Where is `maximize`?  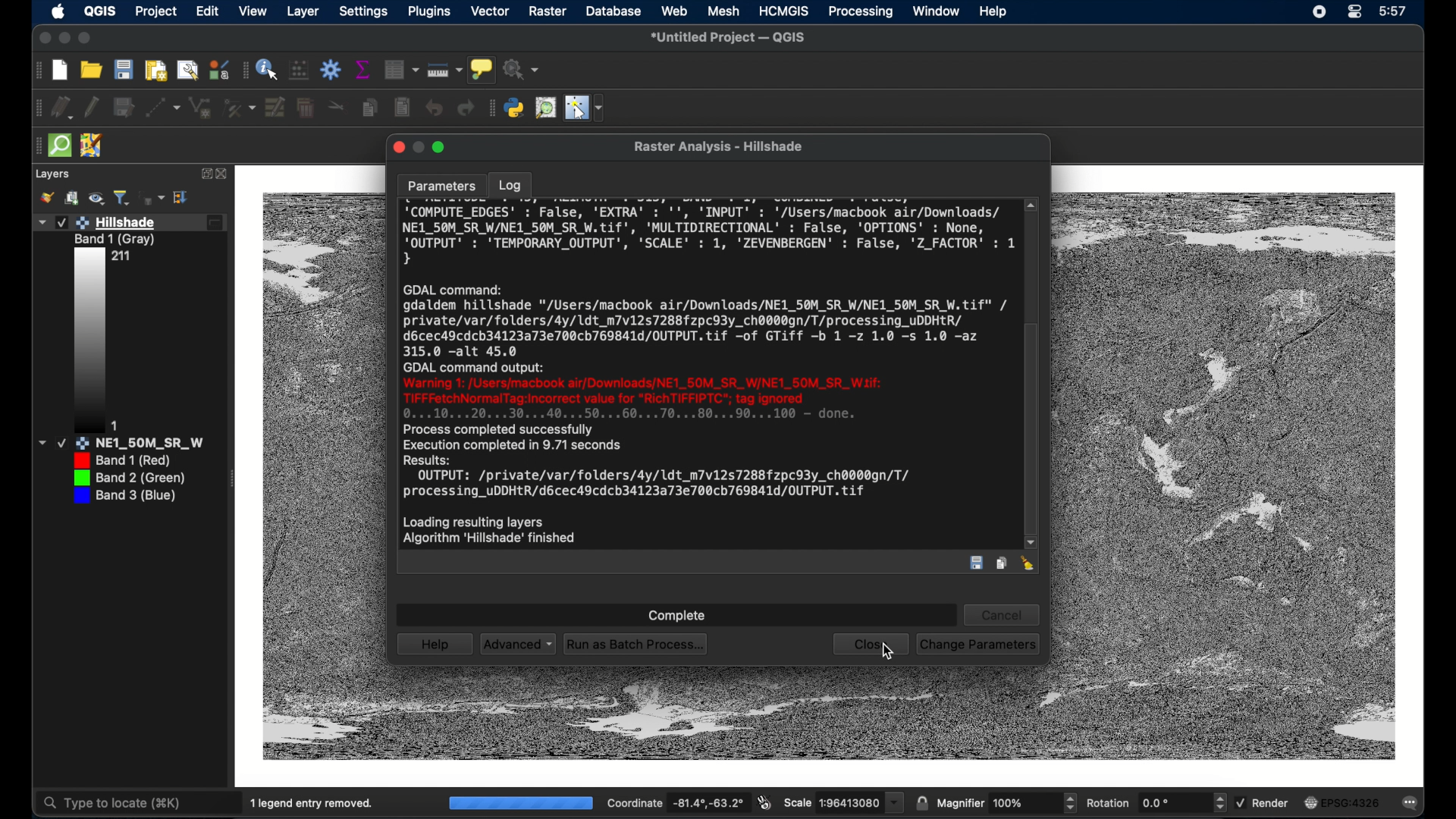
maximize is located at coordinates (86, 39).